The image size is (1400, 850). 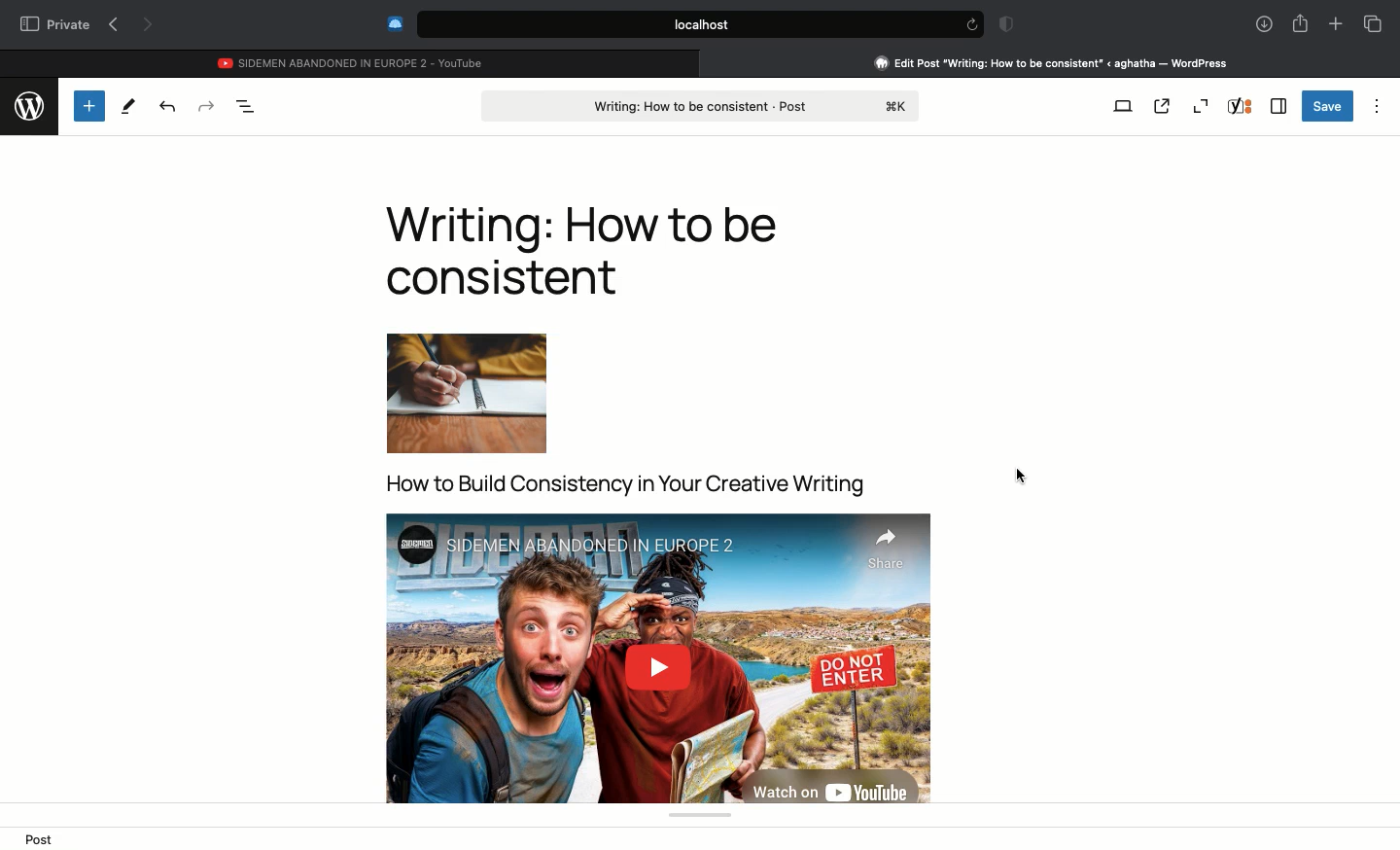 What do you see at coordinates (150, 26) in the screenshot?
I see `Next page` at bounding box center [150, 26].